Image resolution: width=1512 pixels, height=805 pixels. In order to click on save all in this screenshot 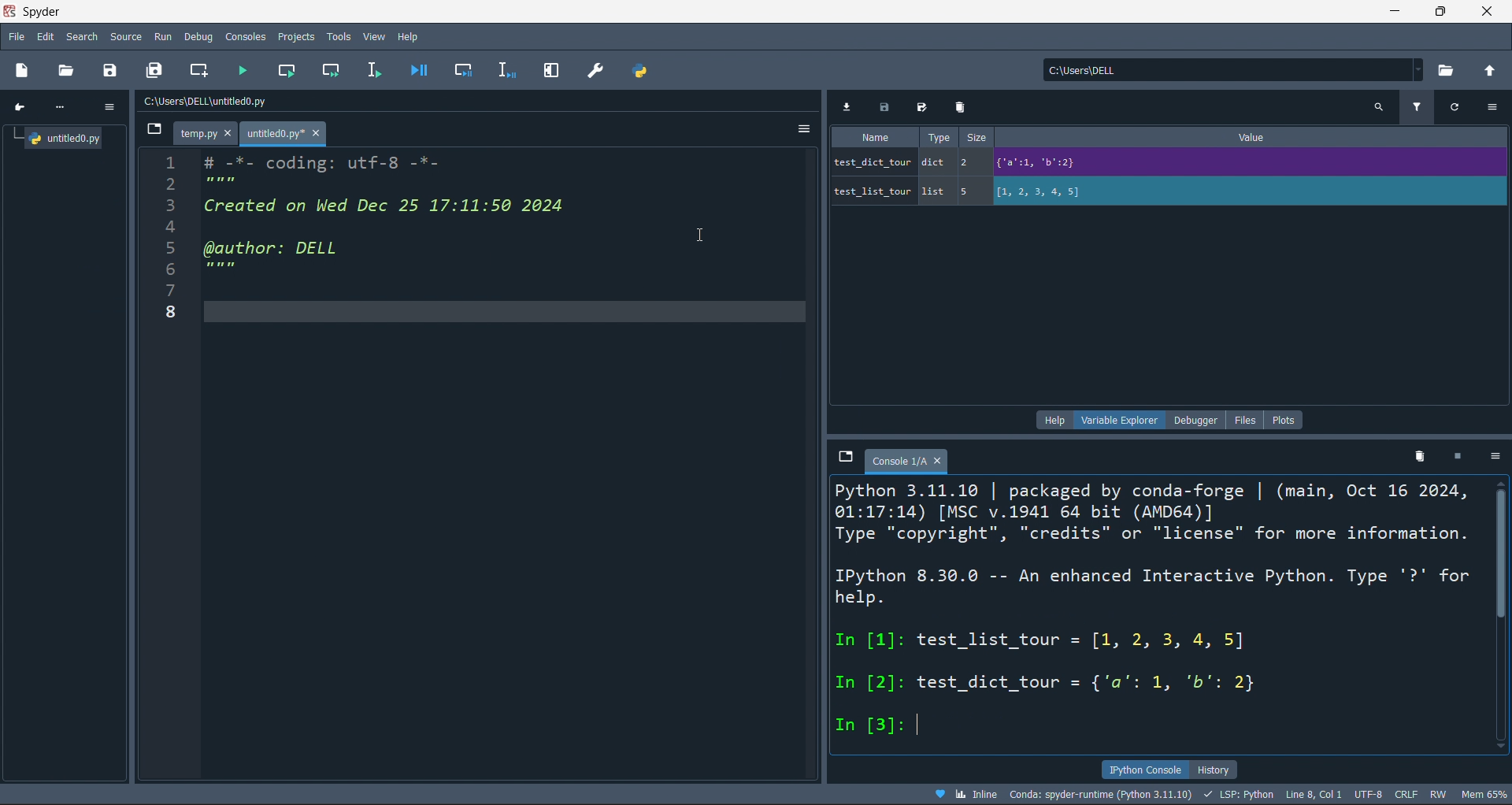, I will do `click(156, 73)`.